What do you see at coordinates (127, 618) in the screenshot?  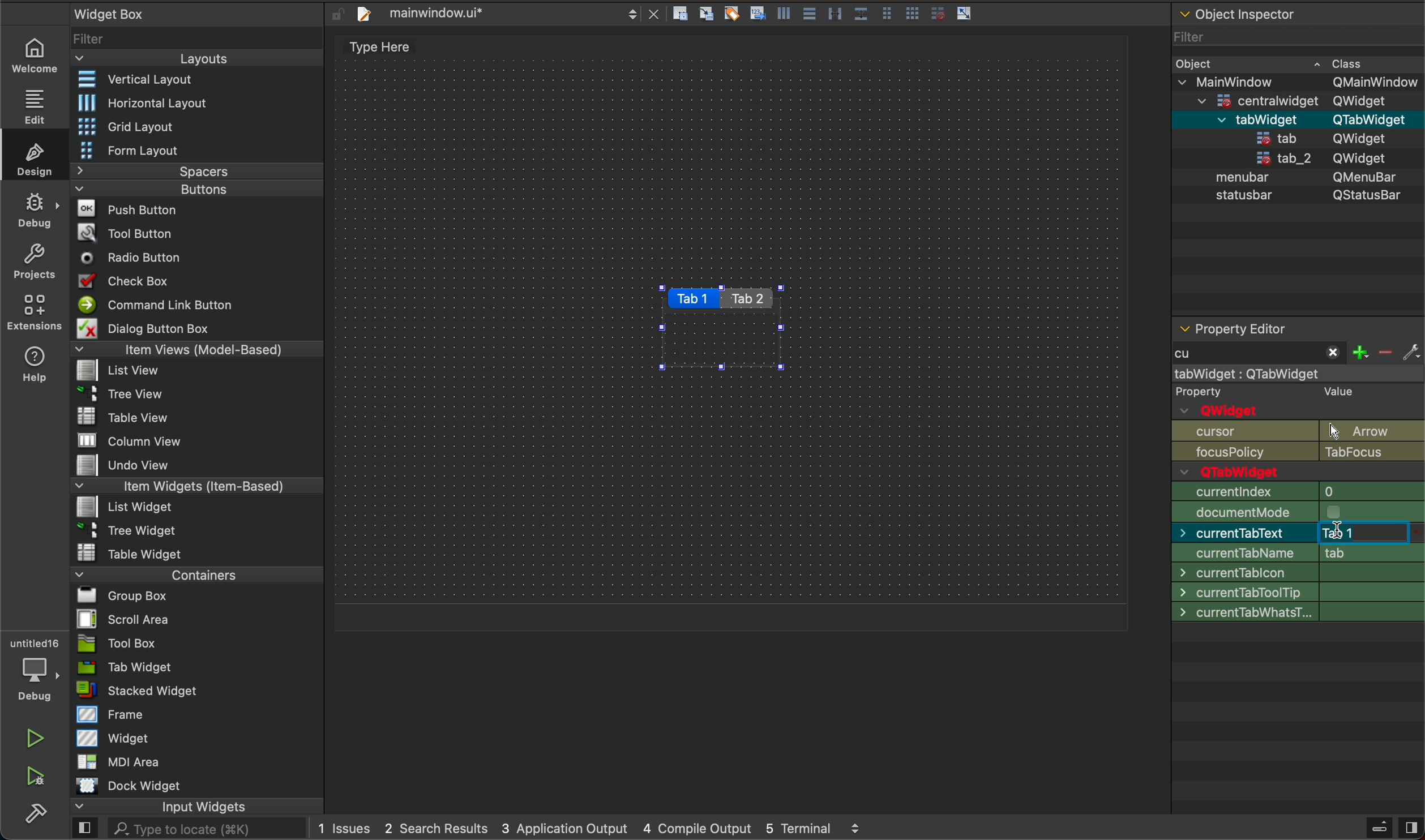 I see `Scroll Area` at bounding box center [127, 618].